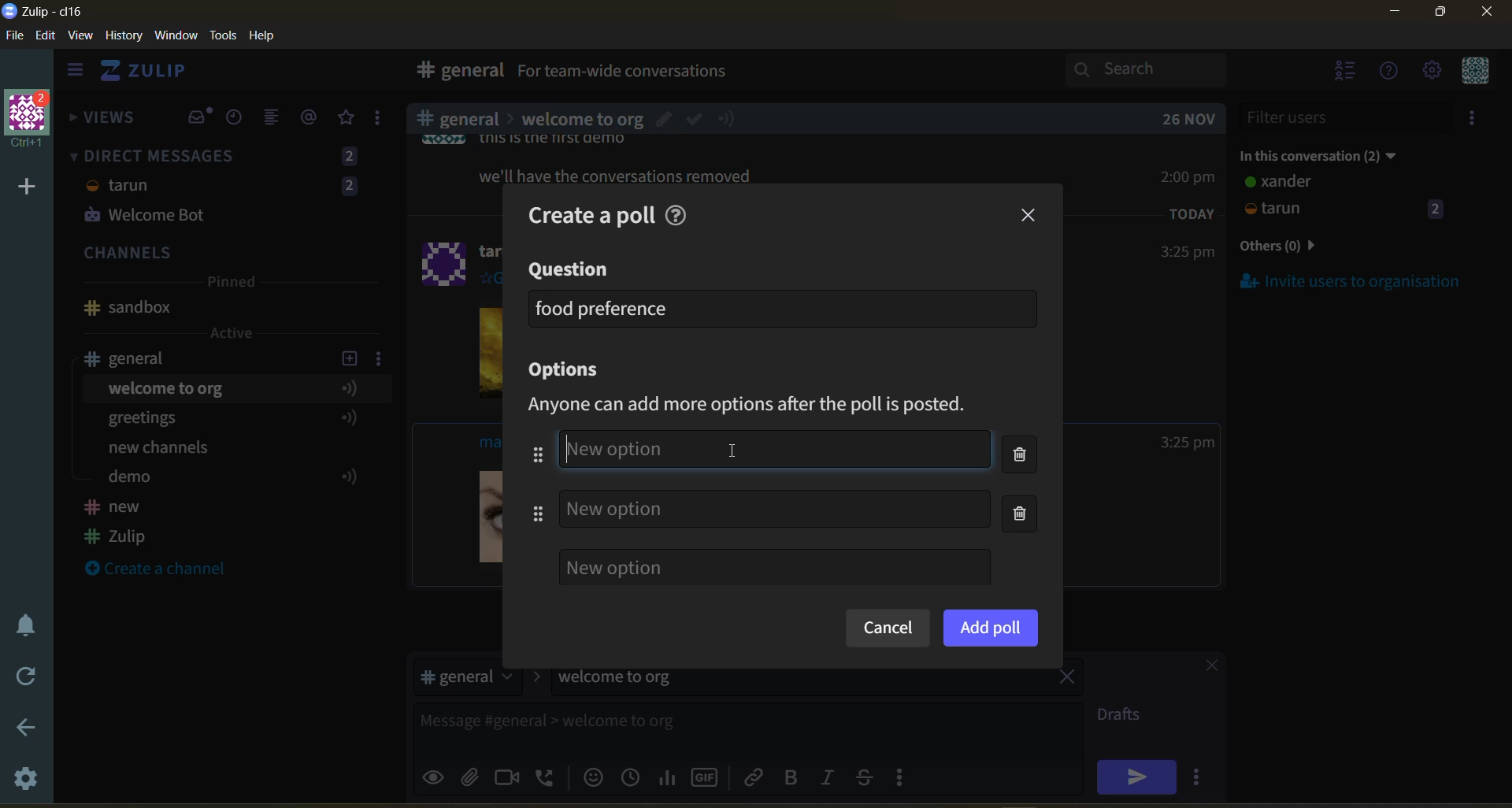 This screenshot has height=808, width=1512. What do you see at coordinates (831, 779) in the screenshot?
I see `italic` at bounding box center [831, 779].